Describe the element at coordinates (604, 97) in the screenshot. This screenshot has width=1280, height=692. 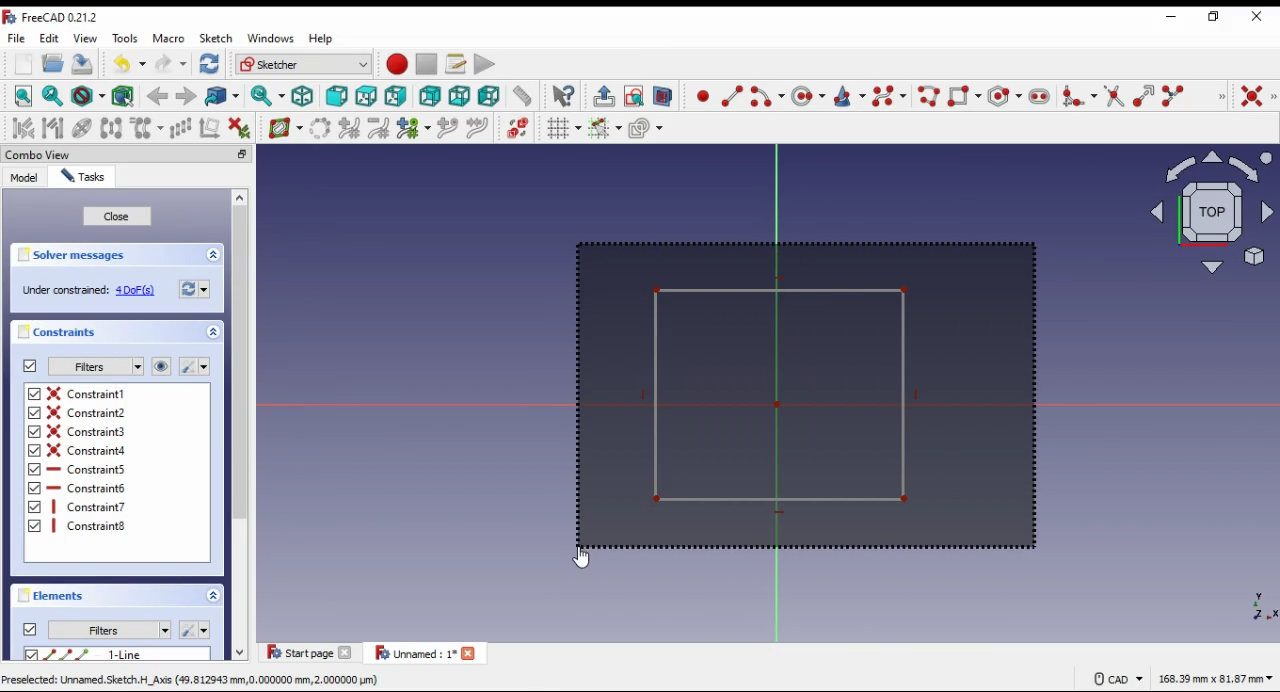
I see `leave sketch` at that location.